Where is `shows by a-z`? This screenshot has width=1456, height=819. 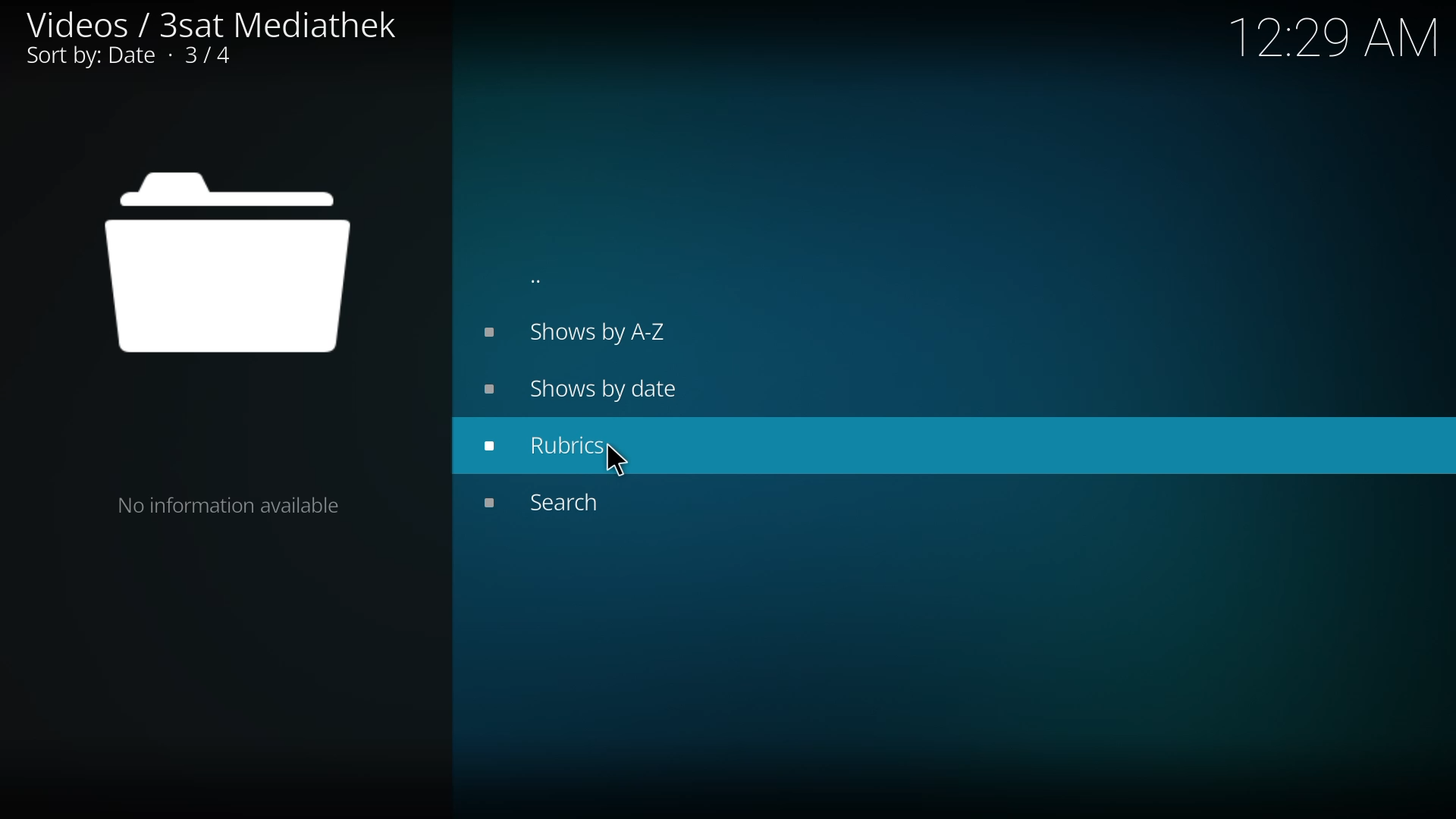 shows by a-z is located at coordinates (574, 331).